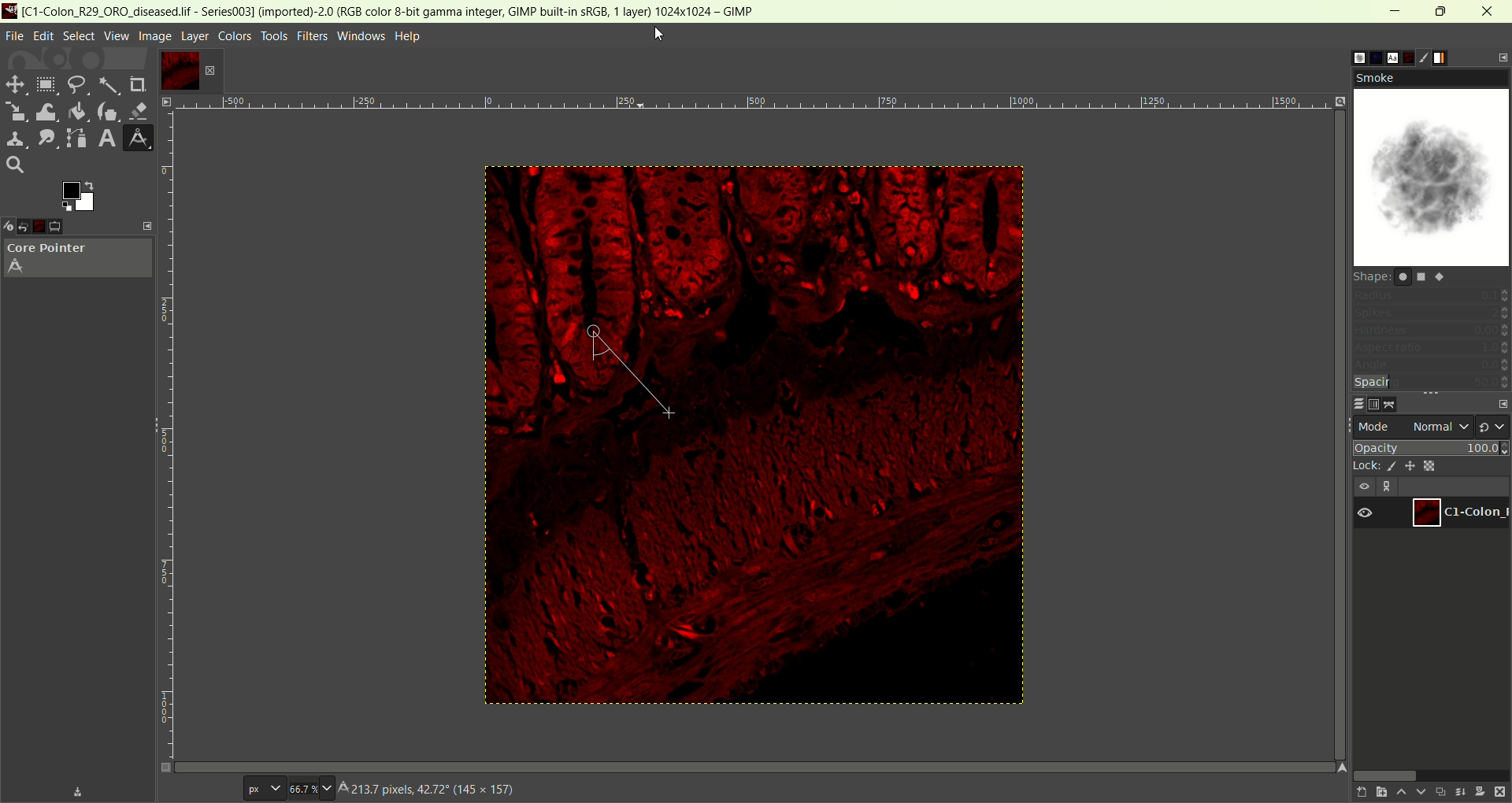 The image size is (1512, 803). Describe the element at coordinates (590, 333) in the screenshot. I see `cursor` at that location.